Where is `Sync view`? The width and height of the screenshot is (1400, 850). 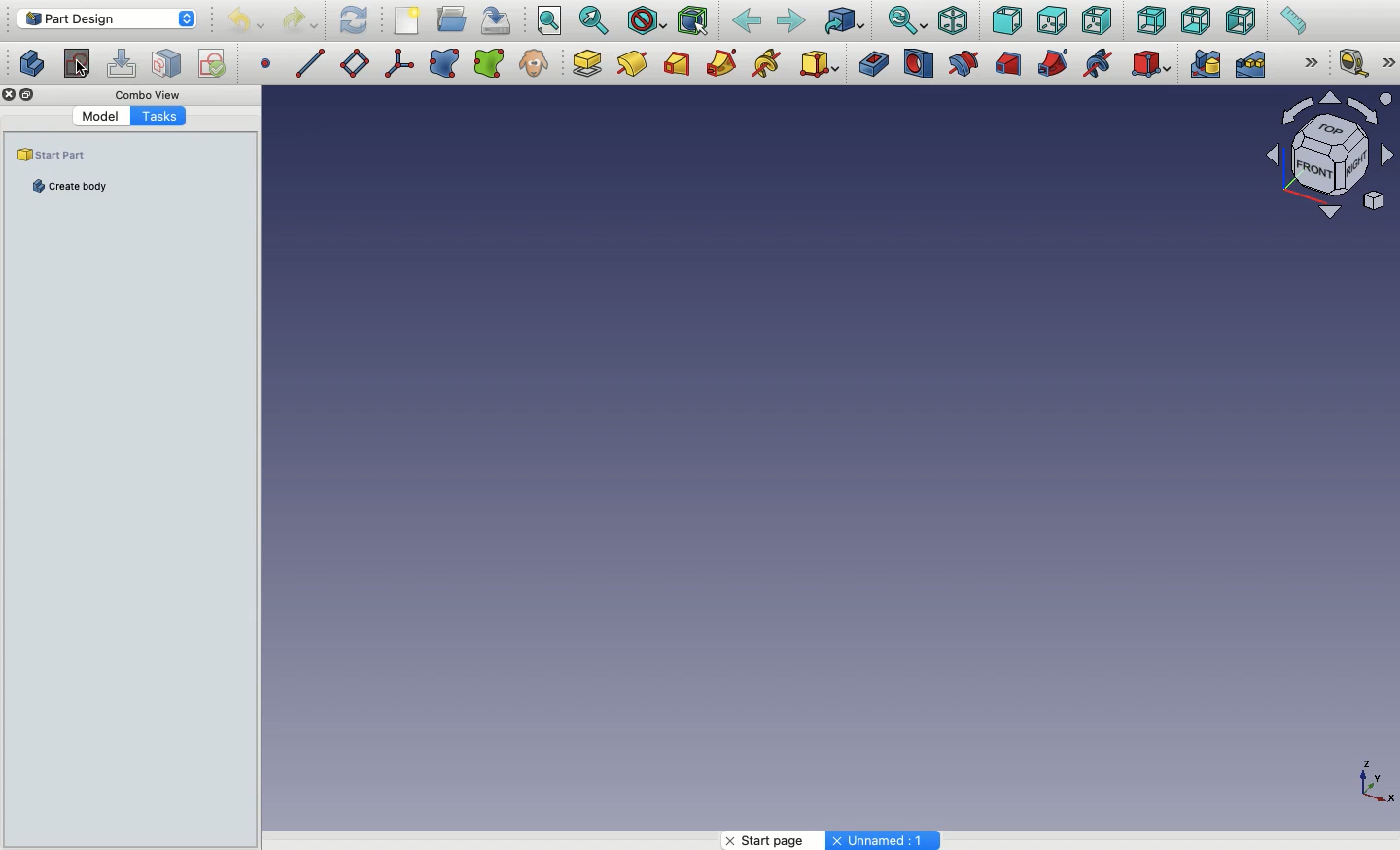 Sync view is located at coordinates (906, 21).